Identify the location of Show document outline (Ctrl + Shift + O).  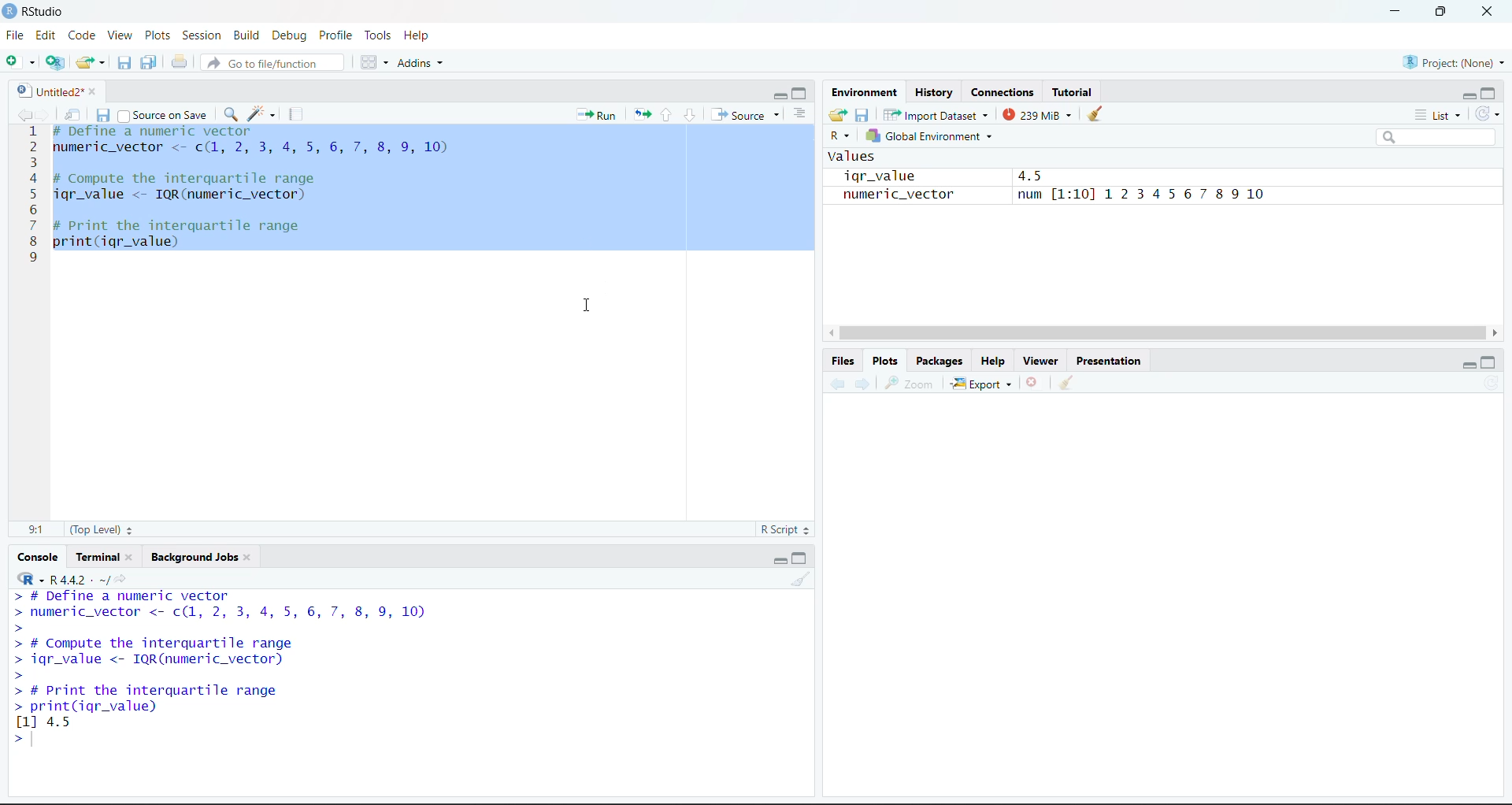
(805, 113).